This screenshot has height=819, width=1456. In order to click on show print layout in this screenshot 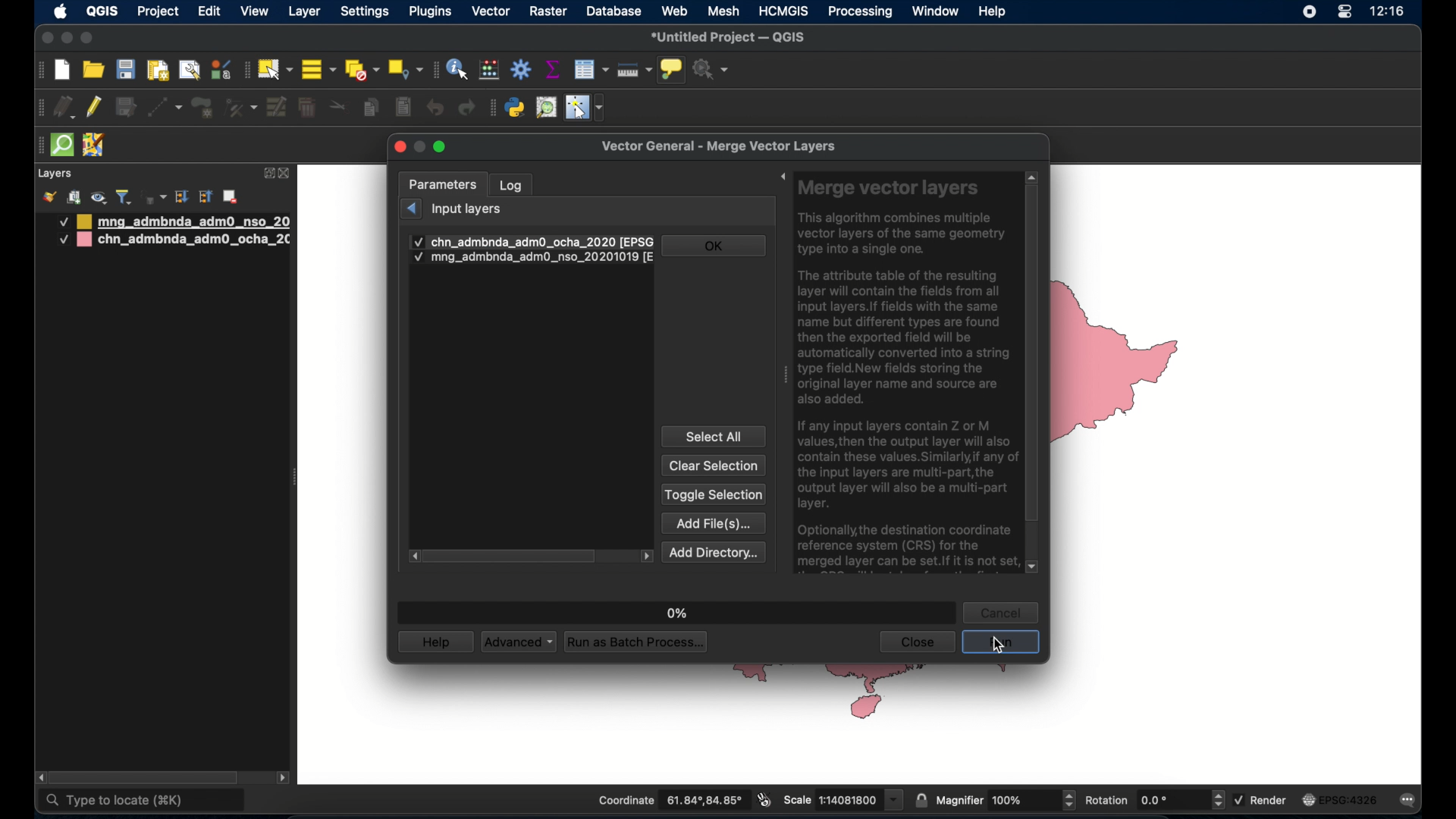, I will do `click(156, 70)`.